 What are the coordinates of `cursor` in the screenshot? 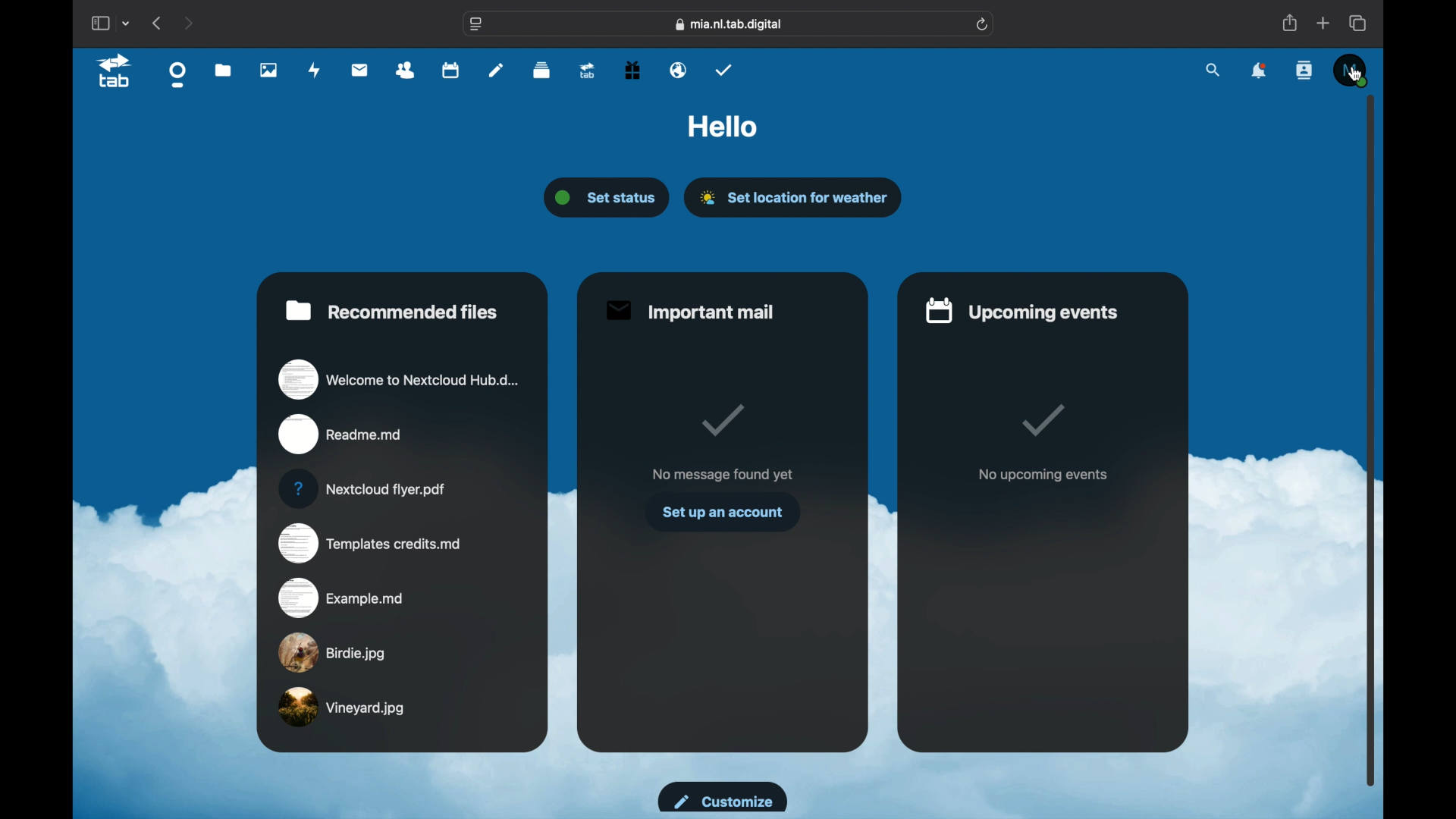 It's located at (1355, 74).